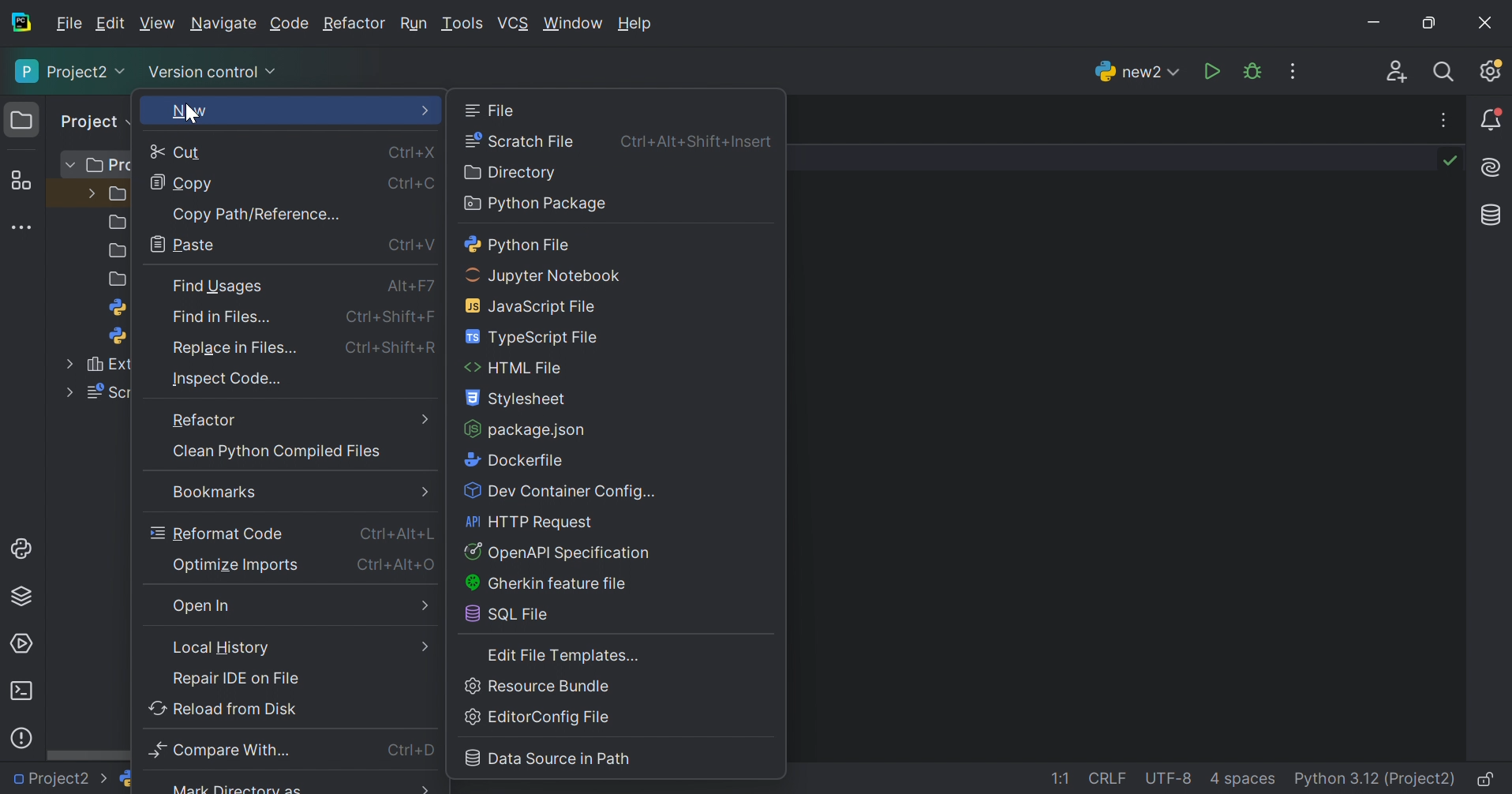 The height and width of the screenshot is (794, 1512). I want to click on Run, so click(1211, 70).